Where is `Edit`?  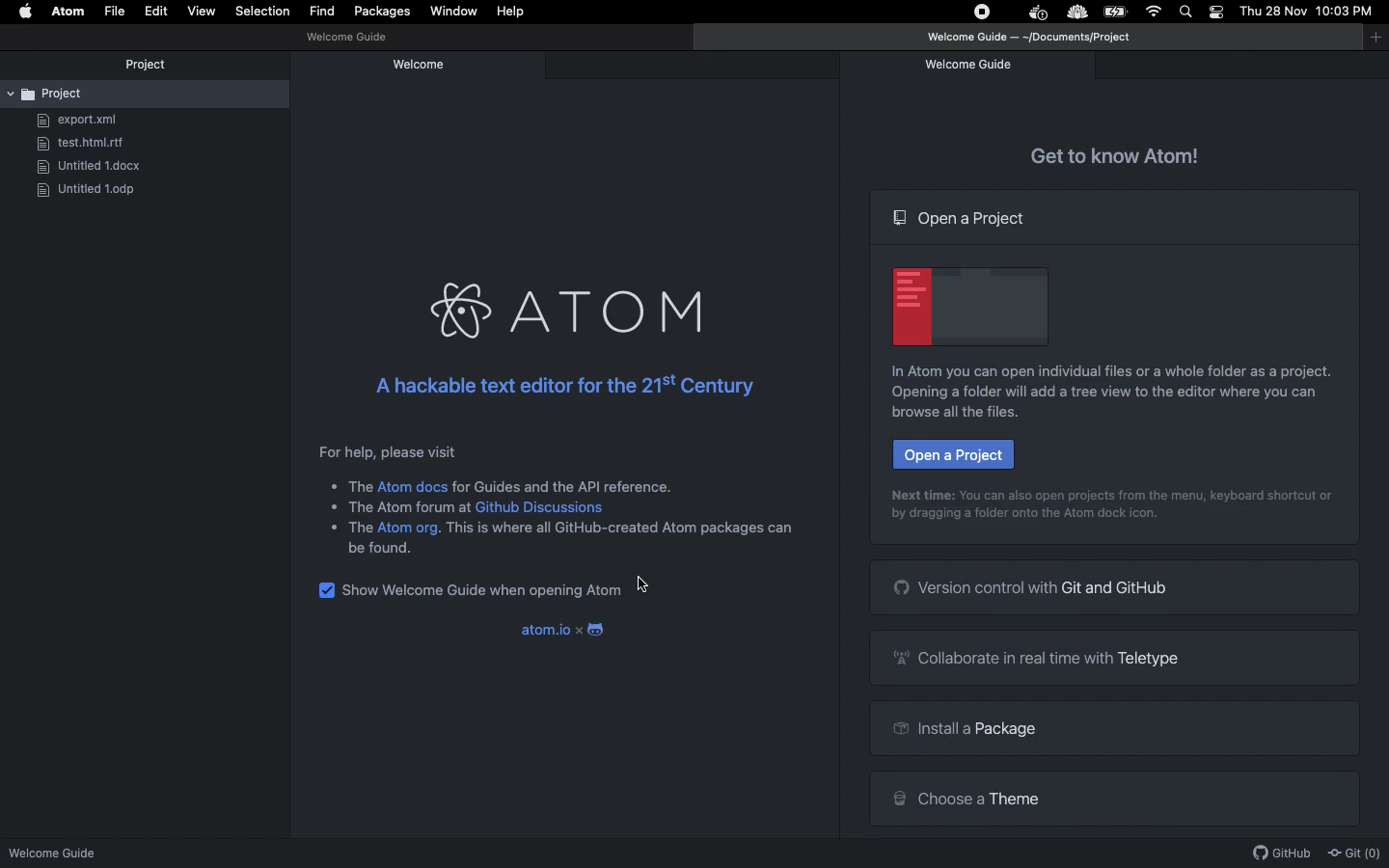
Edit is located at coordinates (157, 12).